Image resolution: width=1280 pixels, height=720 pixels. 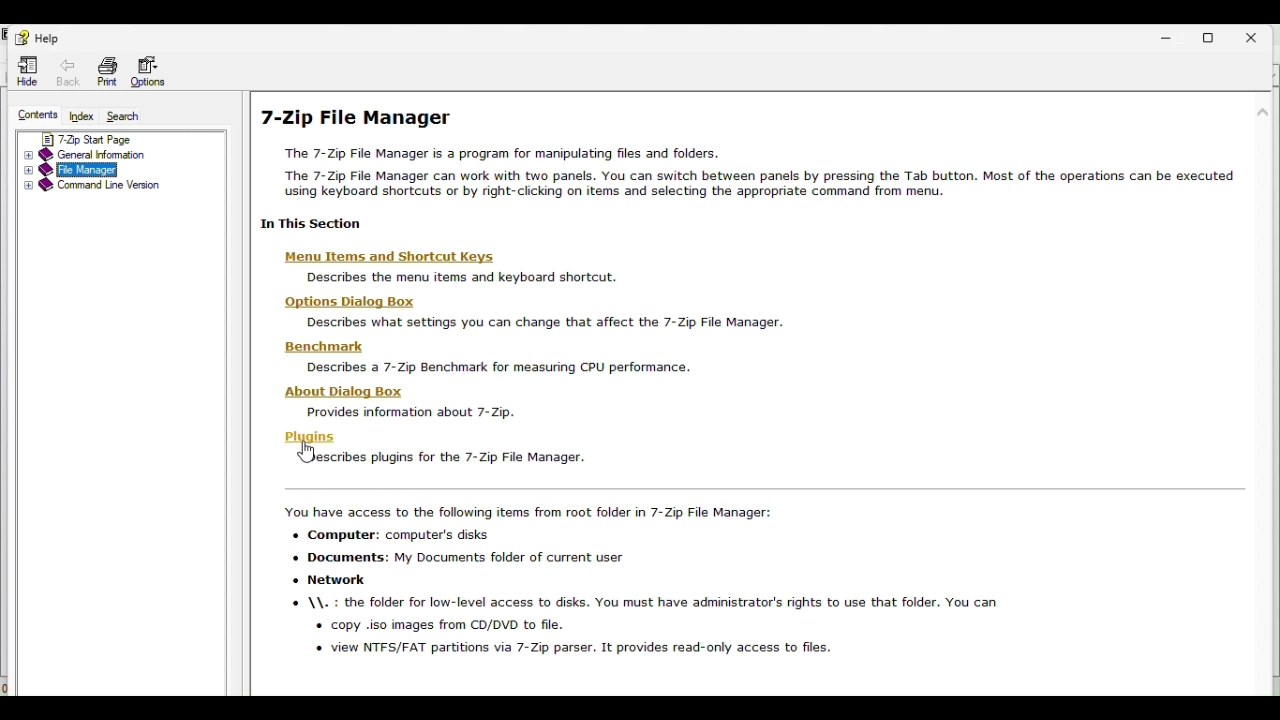 I want to click on help, so click(x=34, y=35).